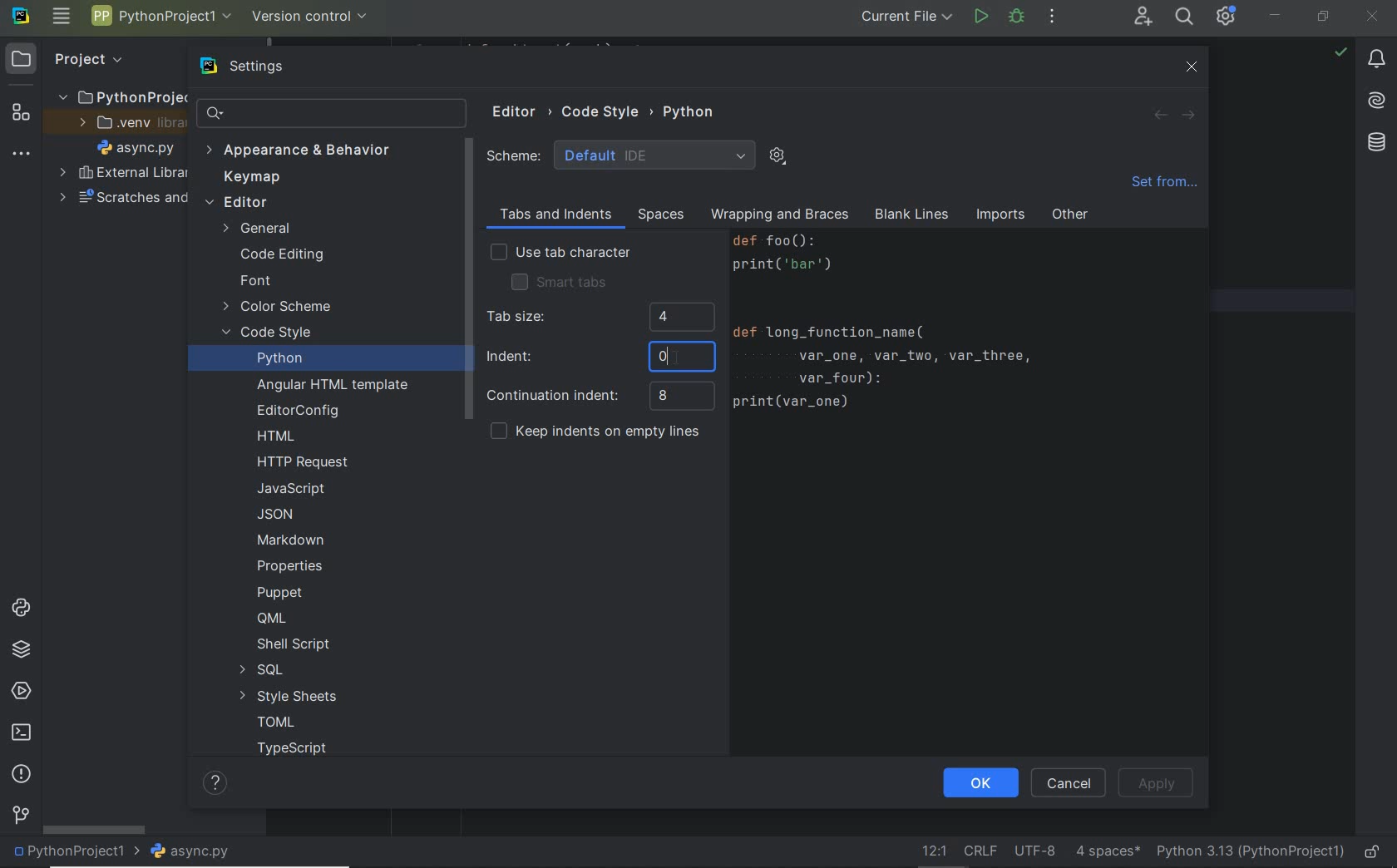 The width and height of the screenshot is (1397, 868). Describe the element at coordinates (269, 334) in the screenshot. I see `code style` at that location.